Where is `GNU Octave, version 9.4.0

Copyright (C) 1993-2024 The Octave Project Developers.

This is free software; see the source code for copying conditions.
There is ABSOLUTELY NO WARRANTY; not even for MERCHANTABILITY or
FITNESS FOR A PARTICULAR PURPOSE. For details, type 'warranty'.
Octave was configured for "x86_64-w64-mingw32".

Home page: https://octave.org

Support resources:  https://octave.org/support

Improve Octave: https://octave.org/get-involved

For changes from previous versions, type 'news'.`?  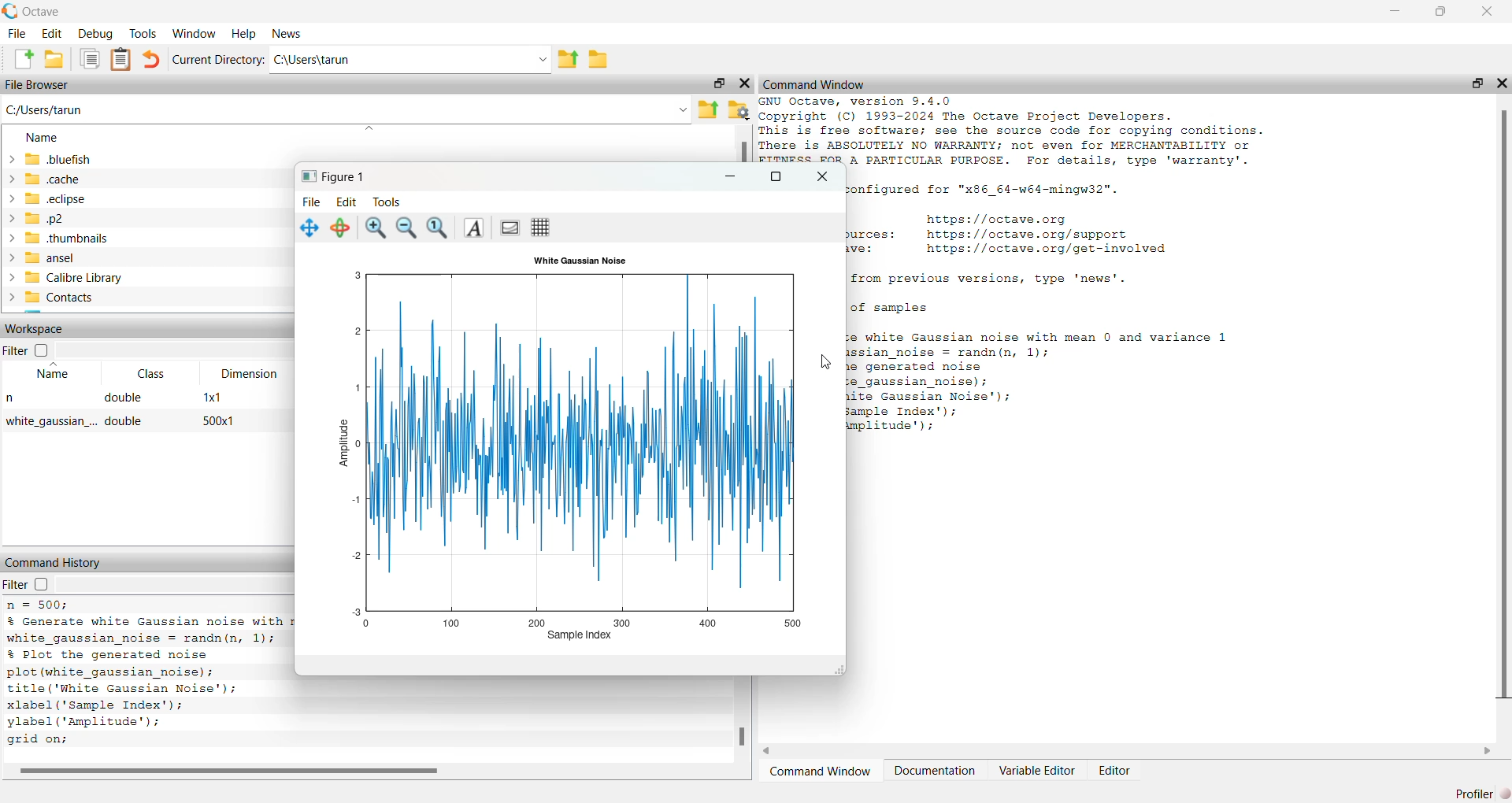
GNU Octave, version 9.4.0

Copyright (C) 1993-2024 The Octave Project Developers.

This is free software; see the source code for copying conditions.
There is ABSOLUTELY NO WARRANTY; not even for MERCHANTABILITY or
FITNESS FOR A PARTICULAR PURPOSE. For details, type 'warranty'.
Octave was configured for "x86_64-w64-mingw32".

Home page: https://octave.org

Support resources:  https://octave.org/support

Improve Octave: https://octave.org/get-involved

For changes from previous versions, type 'news'. is located at coordinates (1095, 265).